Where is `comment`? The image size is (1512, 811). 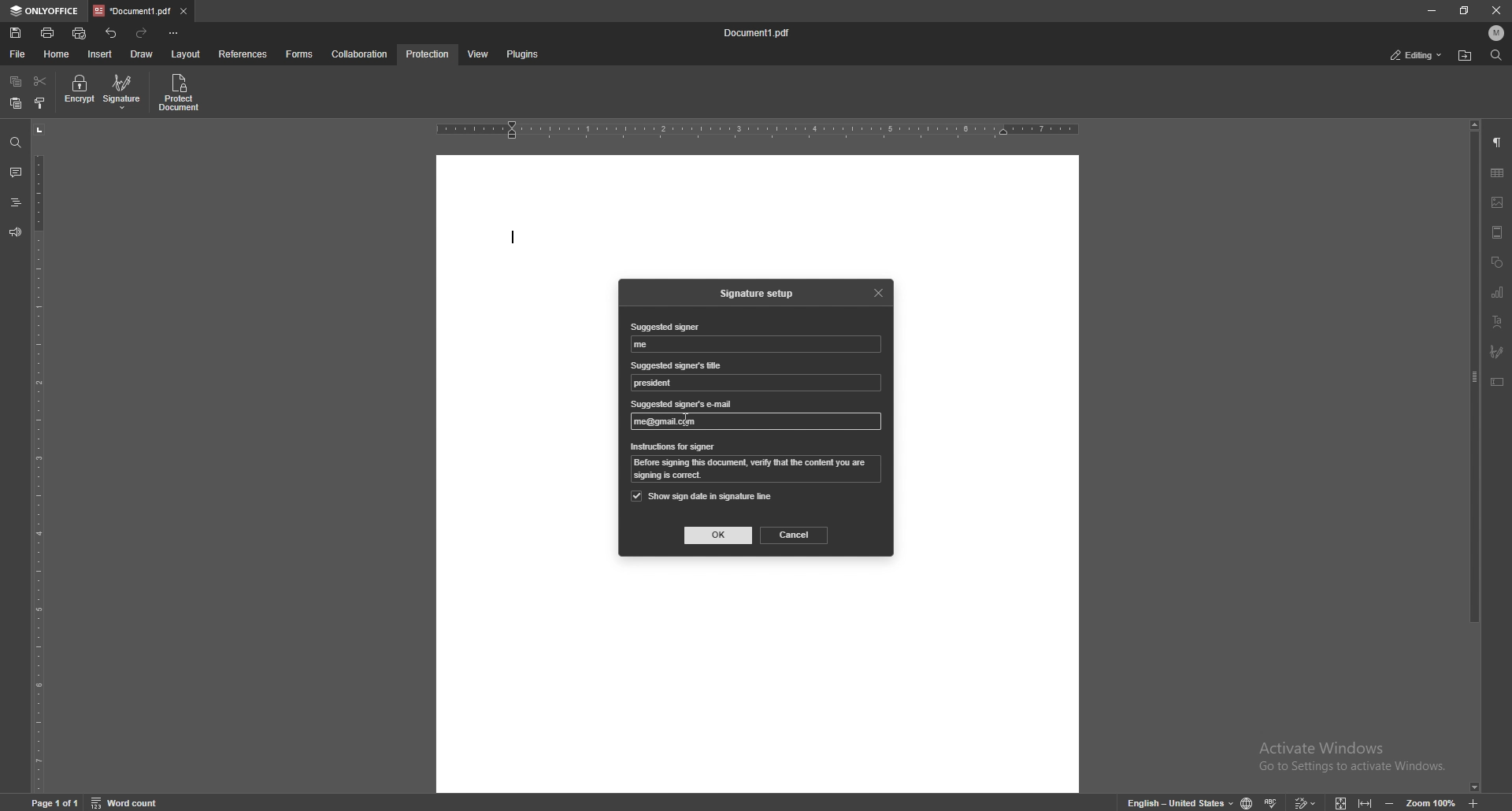
comment is located at coordinates (13, 172).